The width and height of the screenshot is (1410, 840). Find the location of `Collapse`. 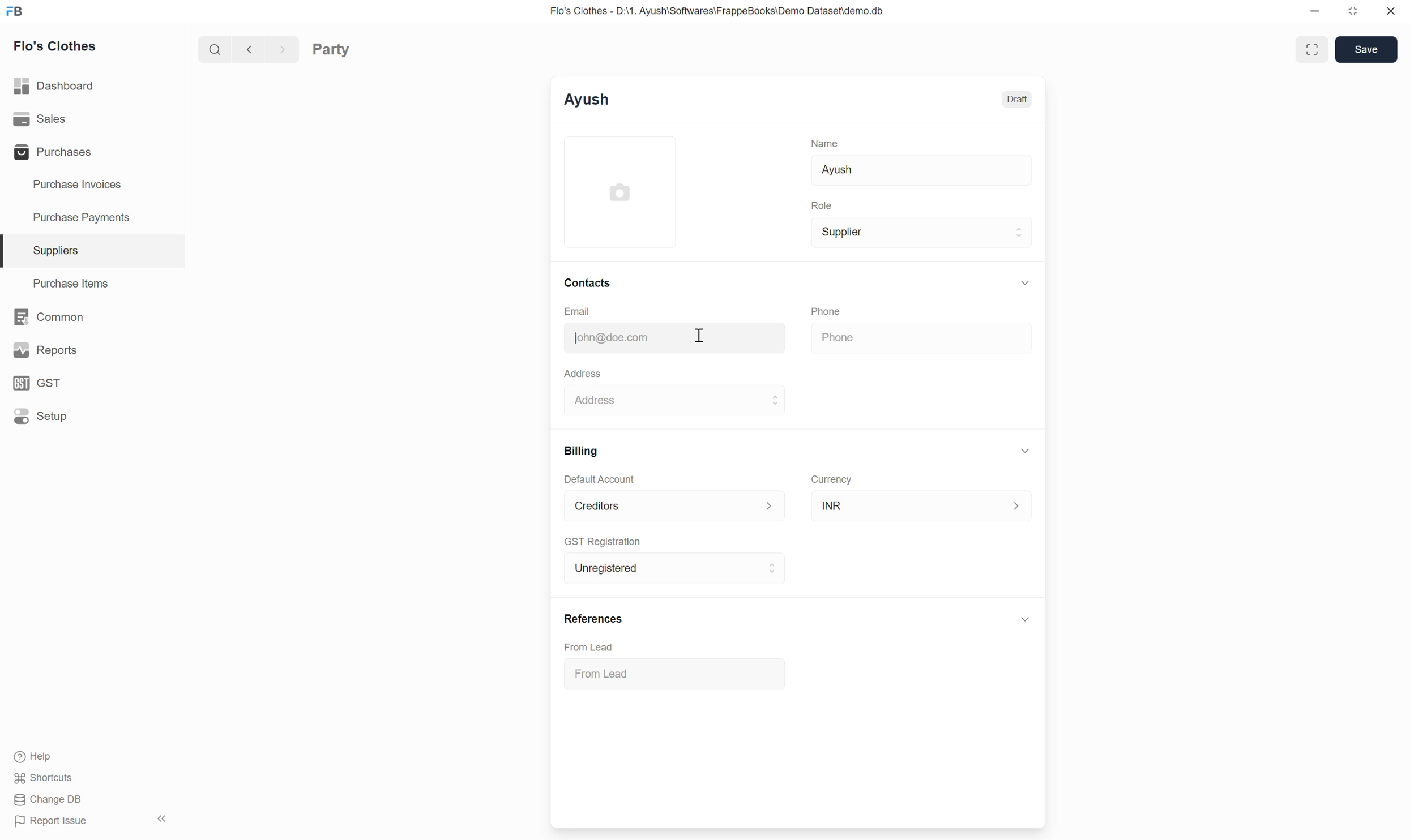

Collapse is located at coordinates (1025, 451).